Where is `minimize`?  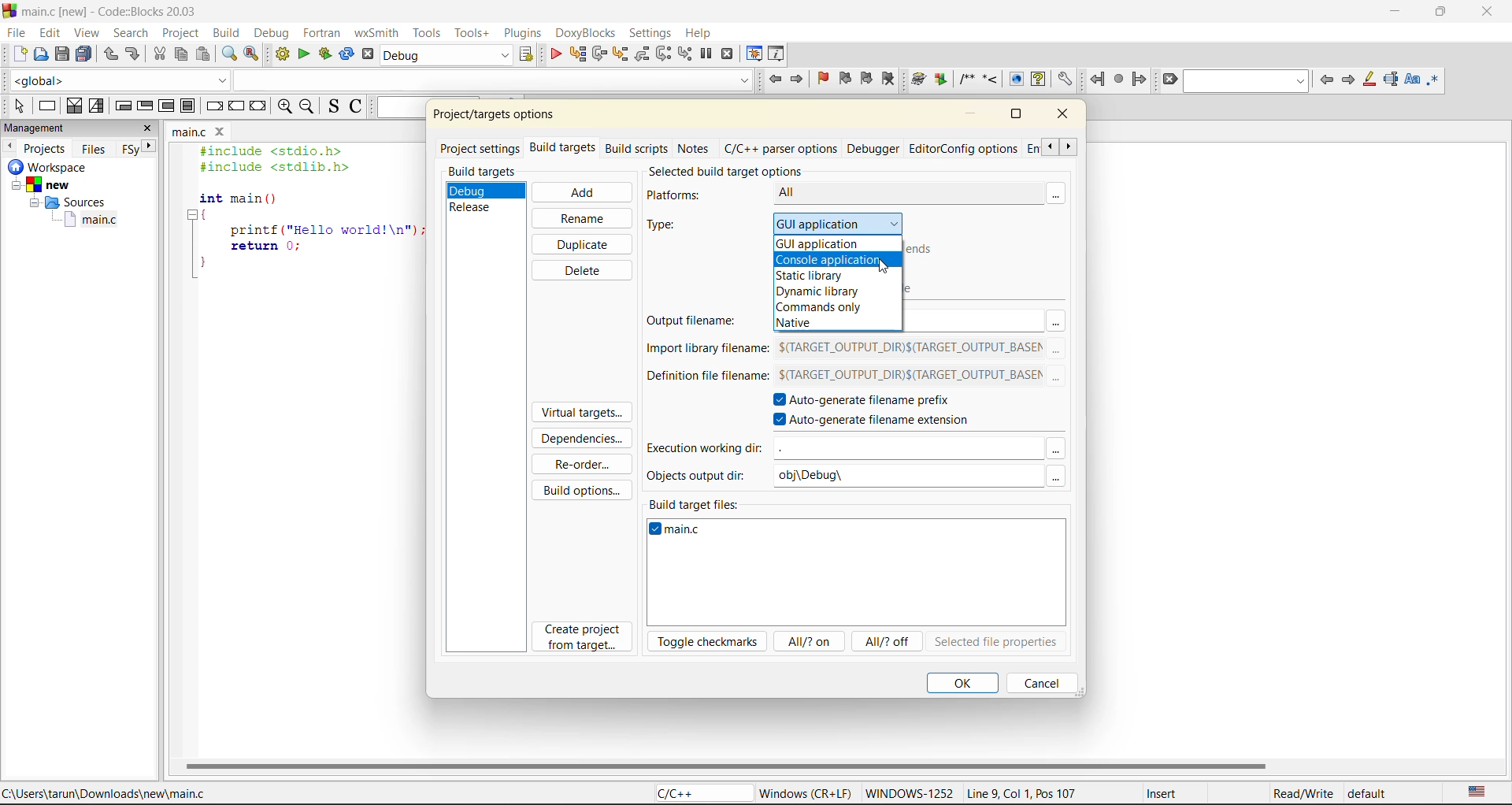 minimize is located at coordinates (1401, 13).